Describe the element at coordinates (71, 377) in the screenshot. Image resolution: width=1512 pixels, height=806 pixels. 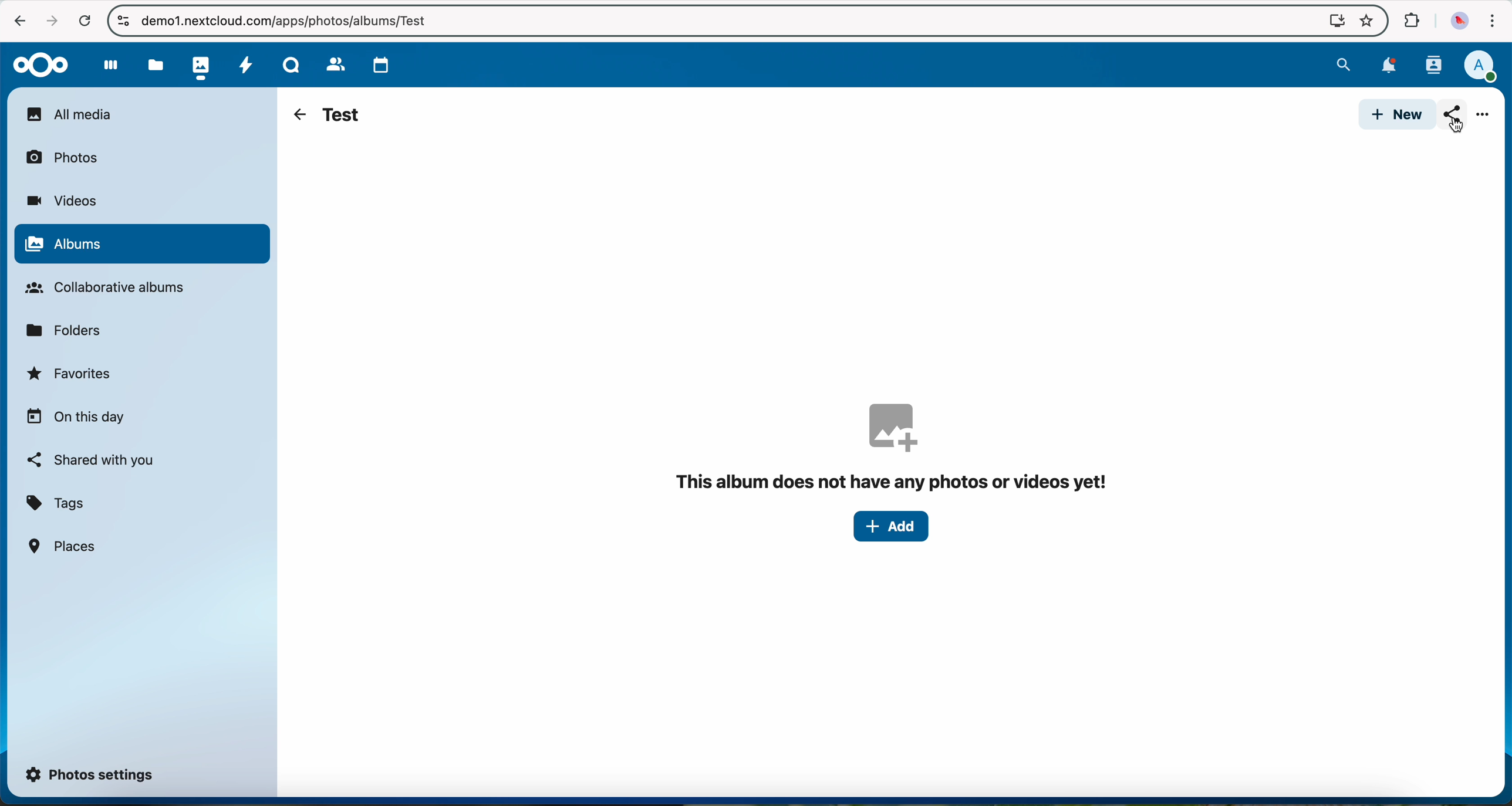
I see `favorites` at that location.